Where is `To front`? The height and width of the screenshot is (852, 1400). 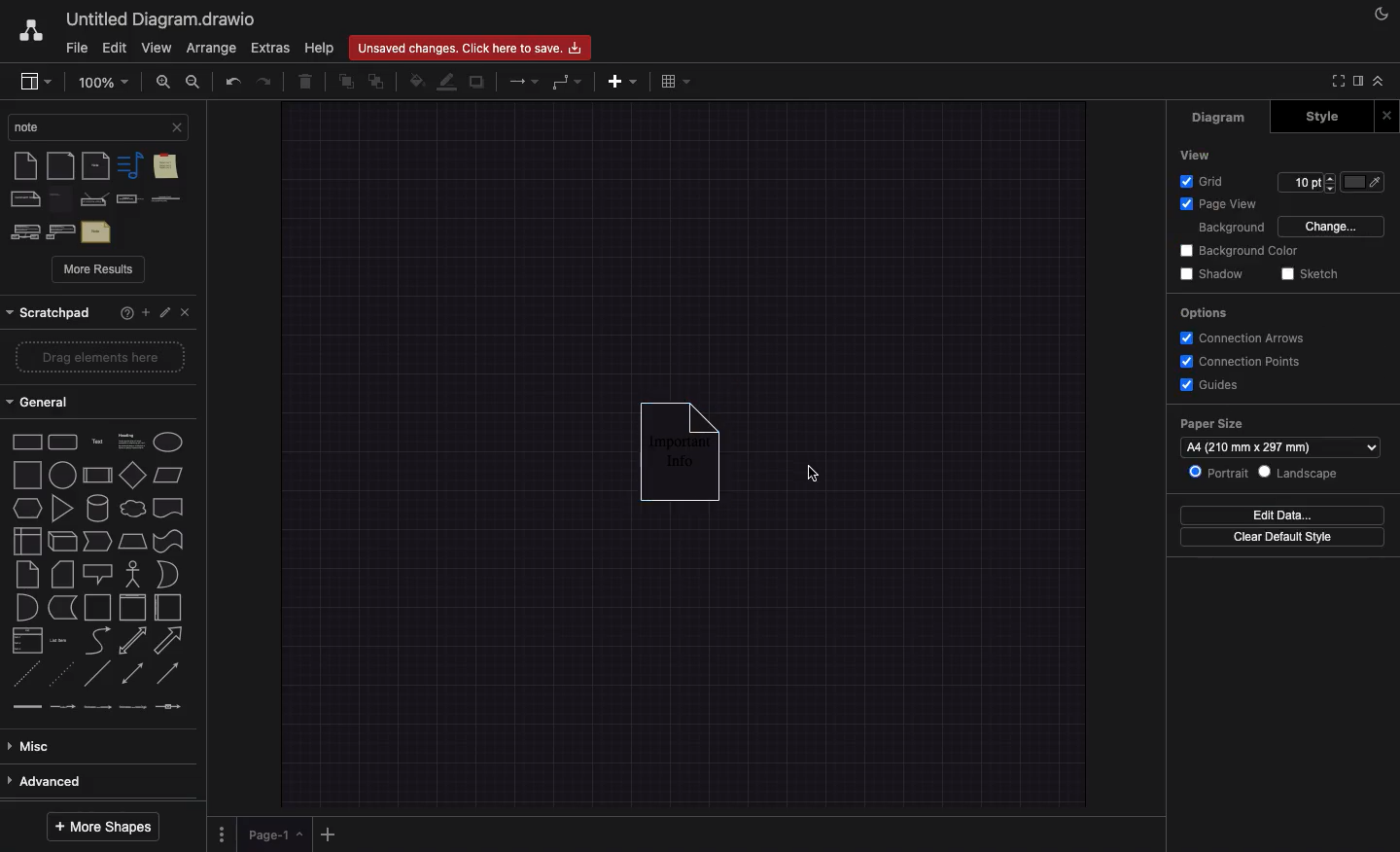
To front is located at coordinates (345, 83).